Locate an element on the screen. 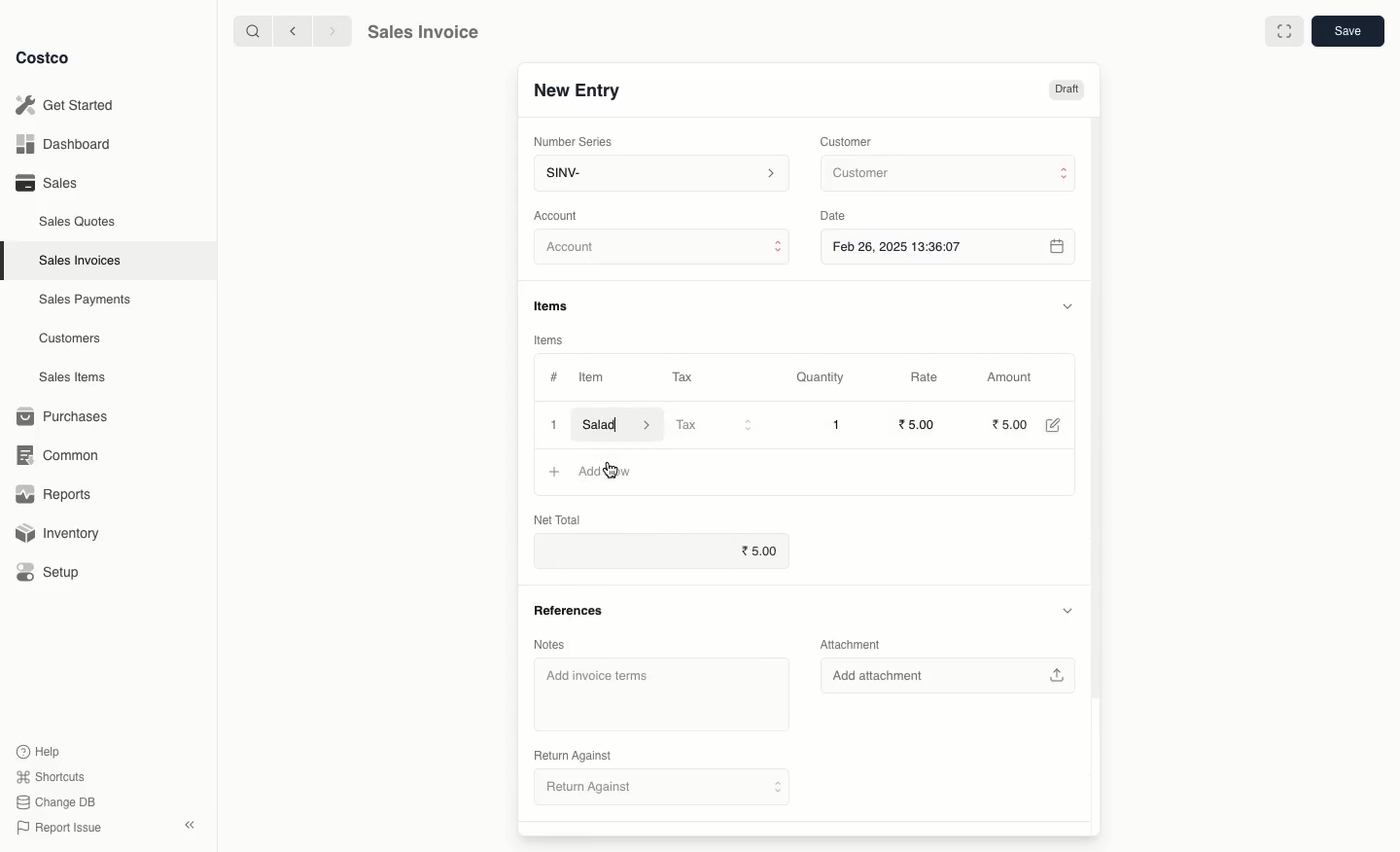 The height and width of the screenshot is (852, 1400). # is located at coordinates (554, 375).